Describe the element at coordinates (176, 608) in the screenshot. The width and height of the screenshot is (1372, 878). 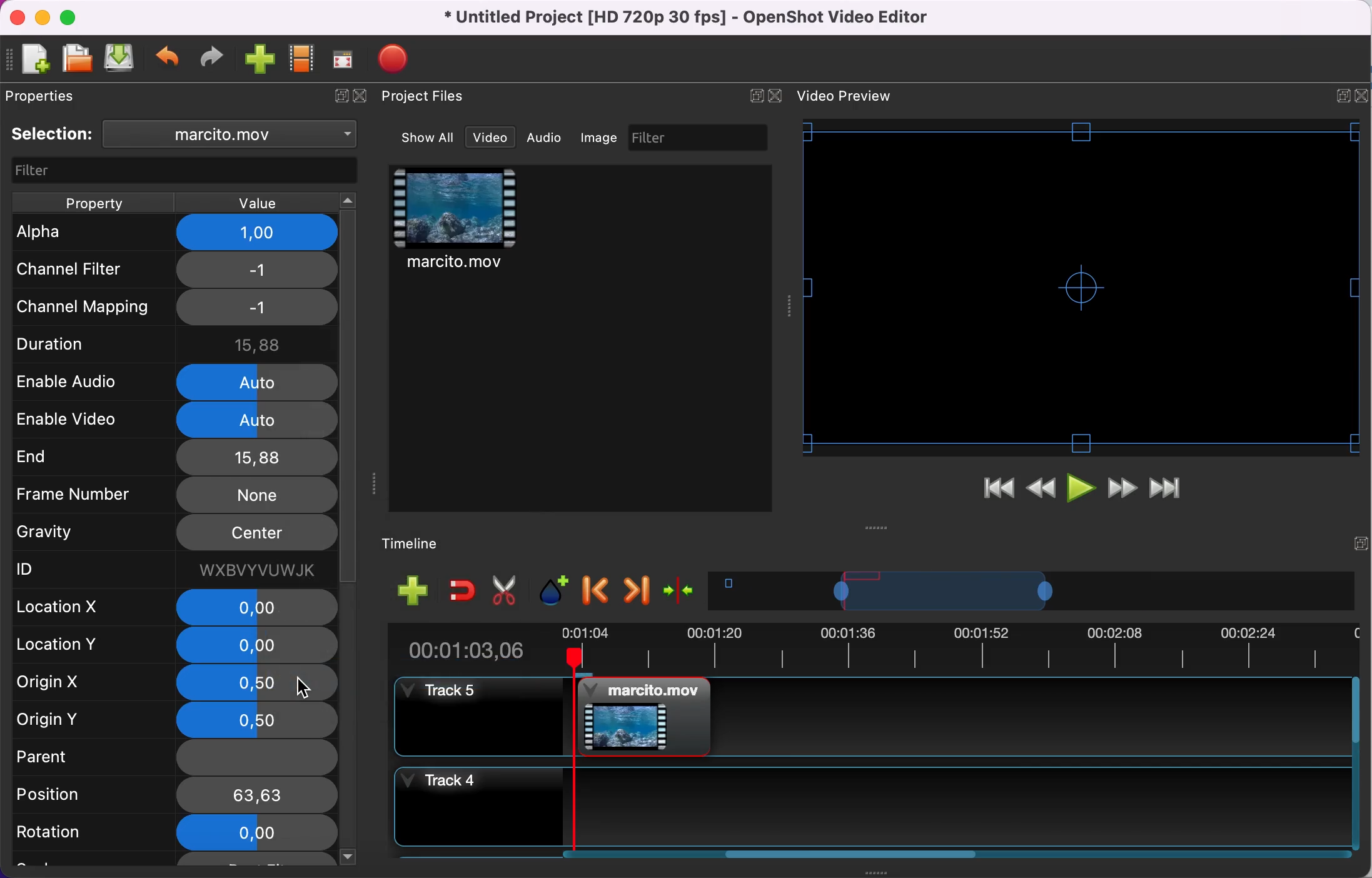
I see `location x 0` at that location.